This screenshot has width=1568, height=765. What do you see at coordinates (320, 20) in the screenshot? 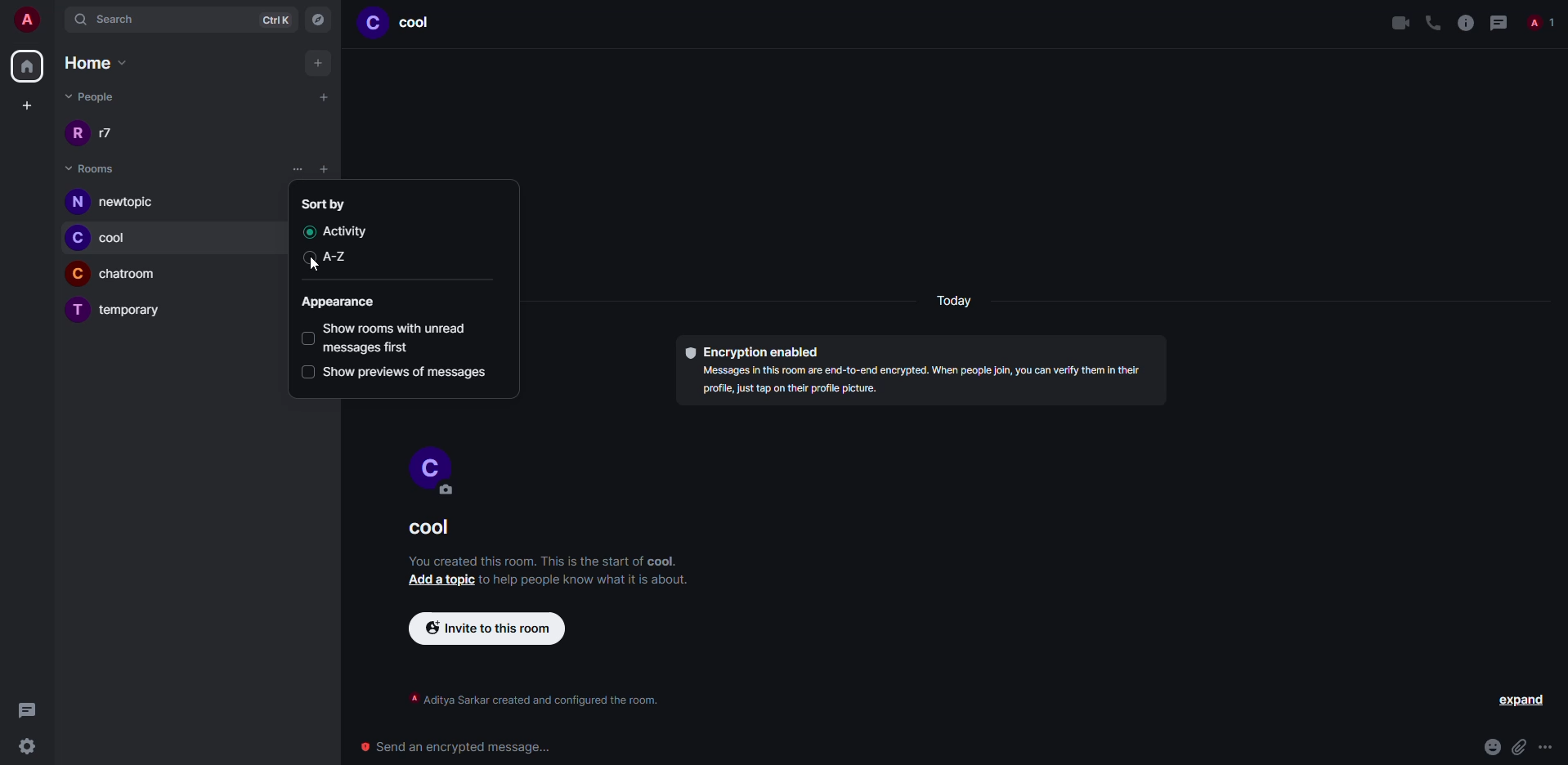
I see `navigator` at bounding box center [320, 20].